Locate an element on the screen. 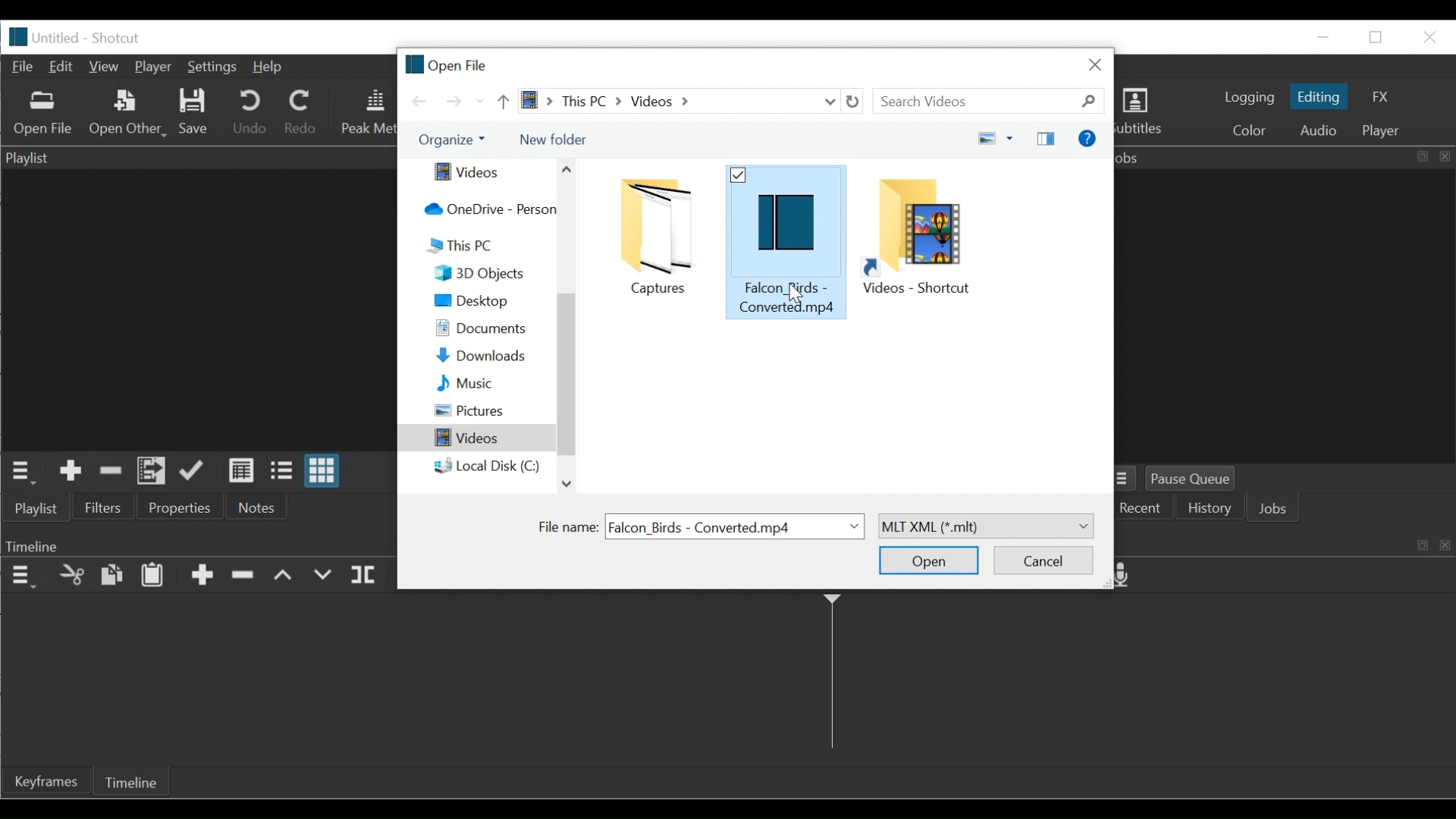 Image resolution: width=1456 pixels, height=819 pixels. Videos is located at coordinates (476, 438).